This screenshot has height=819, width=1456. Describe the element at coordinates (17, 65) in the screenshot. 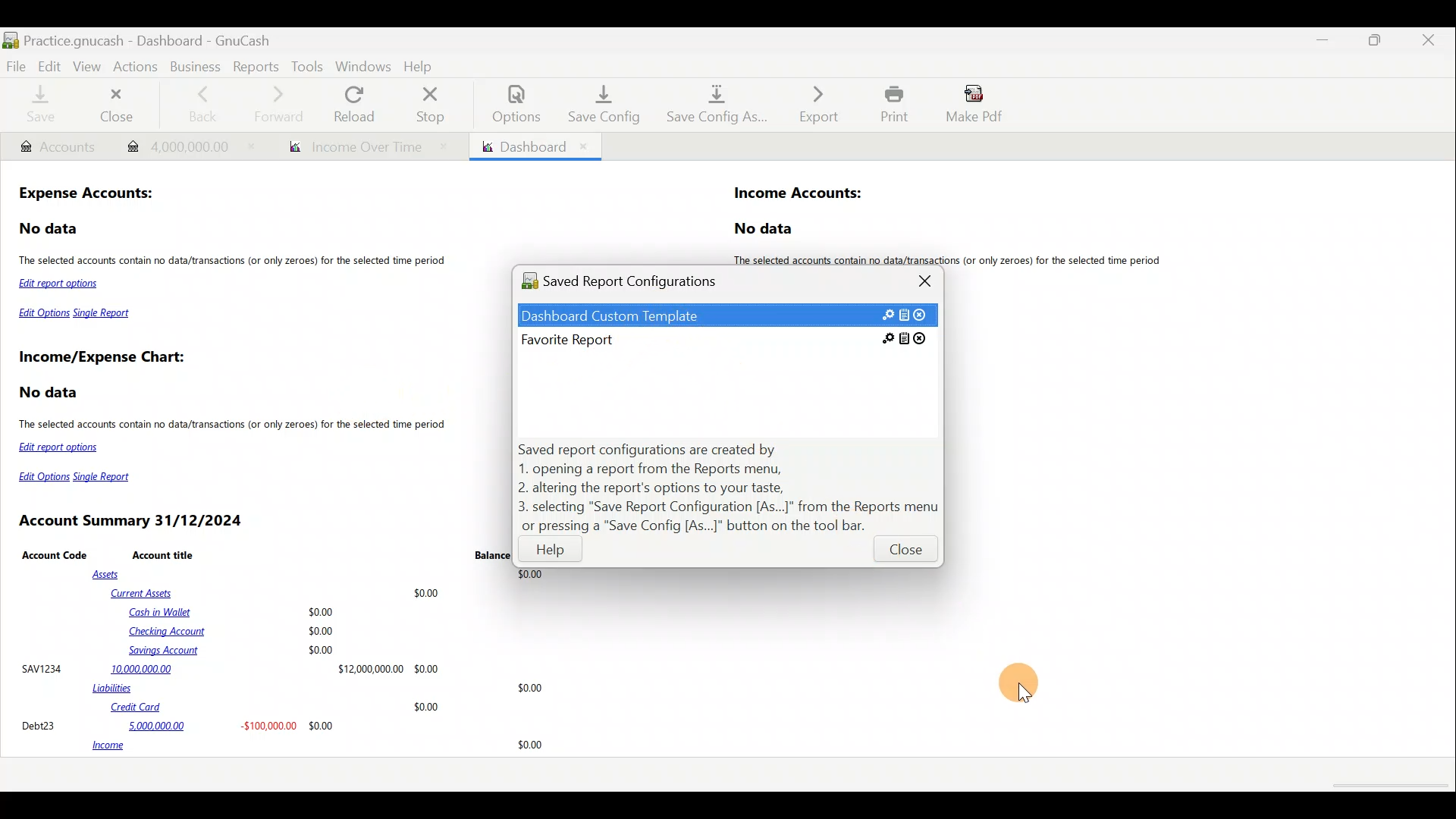

I see `File` at that location.